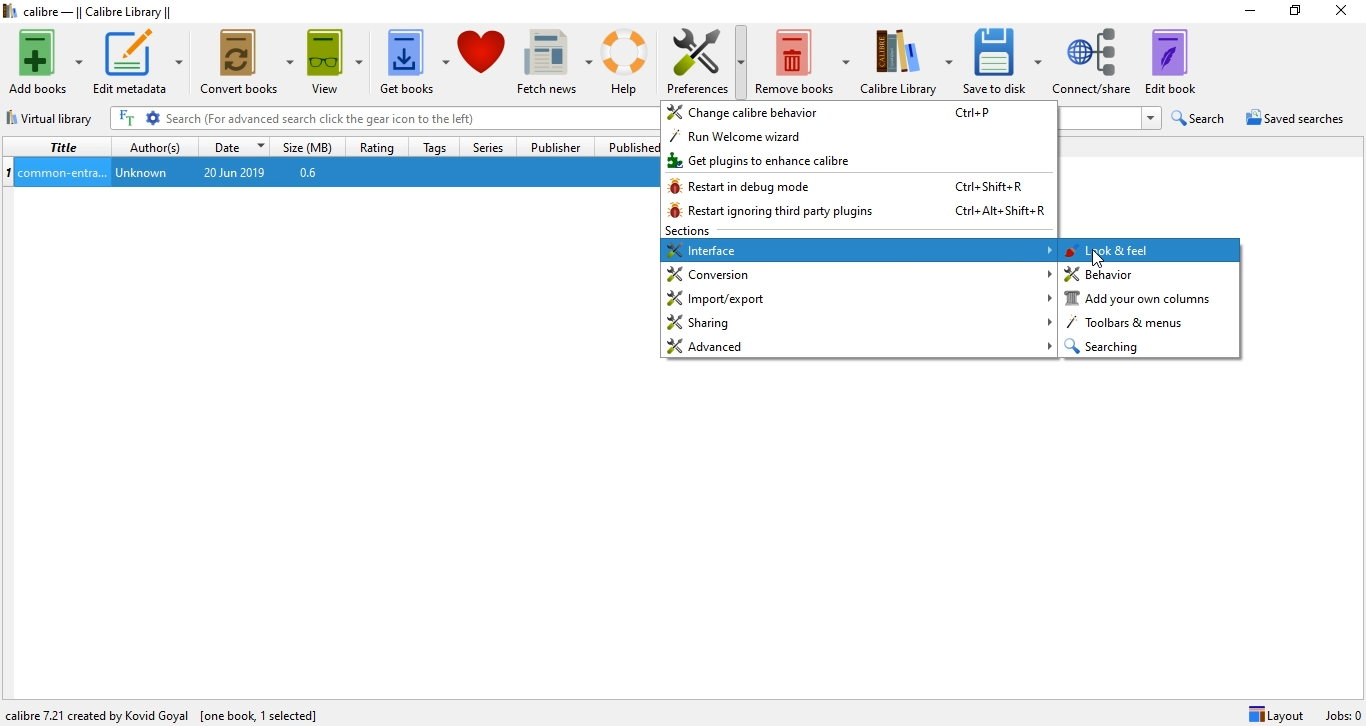  What do you see at coordinates (627, 147) in the screenshot?
I see `Published` at bounding box center [627, 147].